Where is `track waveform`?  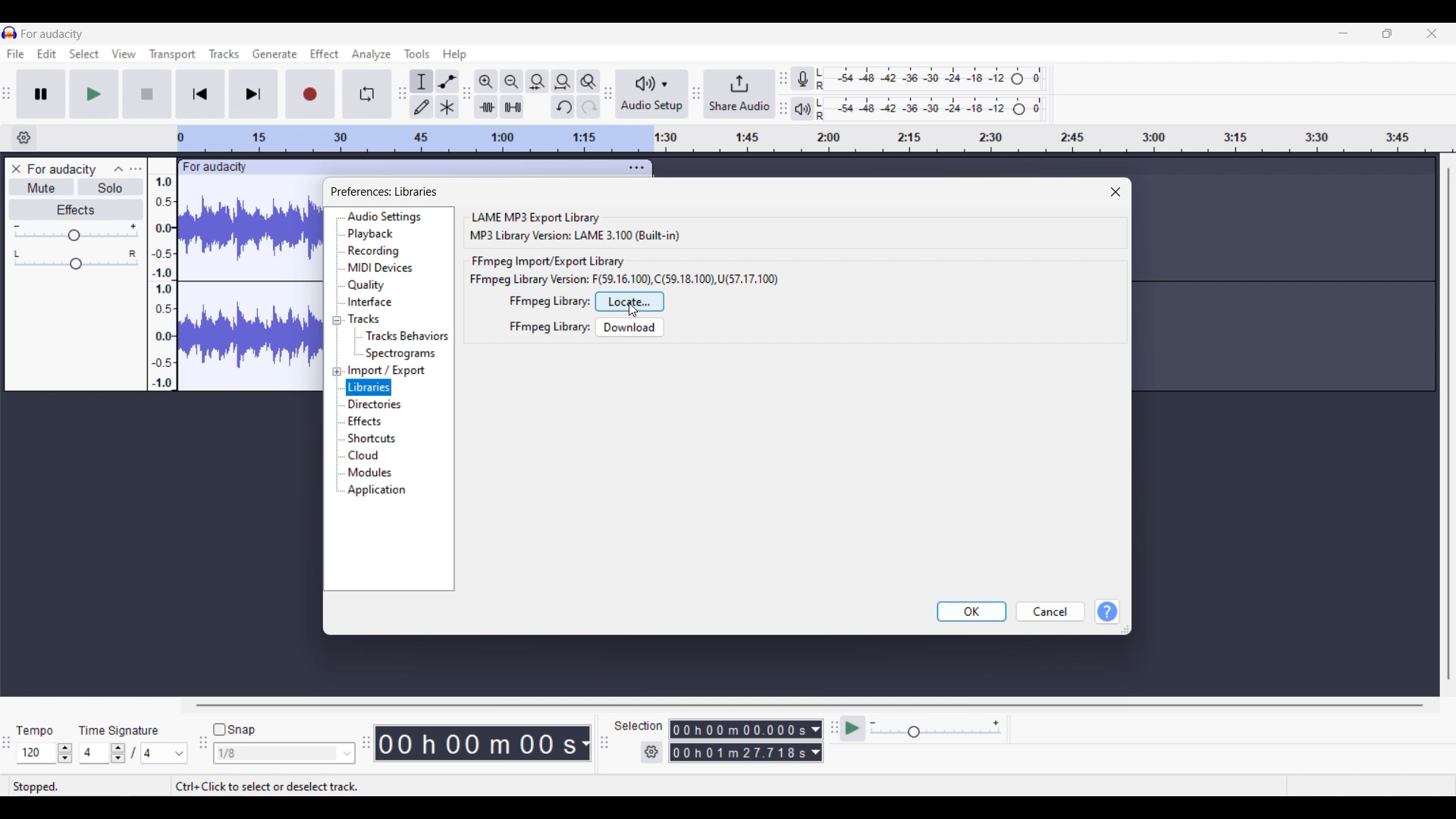
track waveform is located at coordinates (246, 287).